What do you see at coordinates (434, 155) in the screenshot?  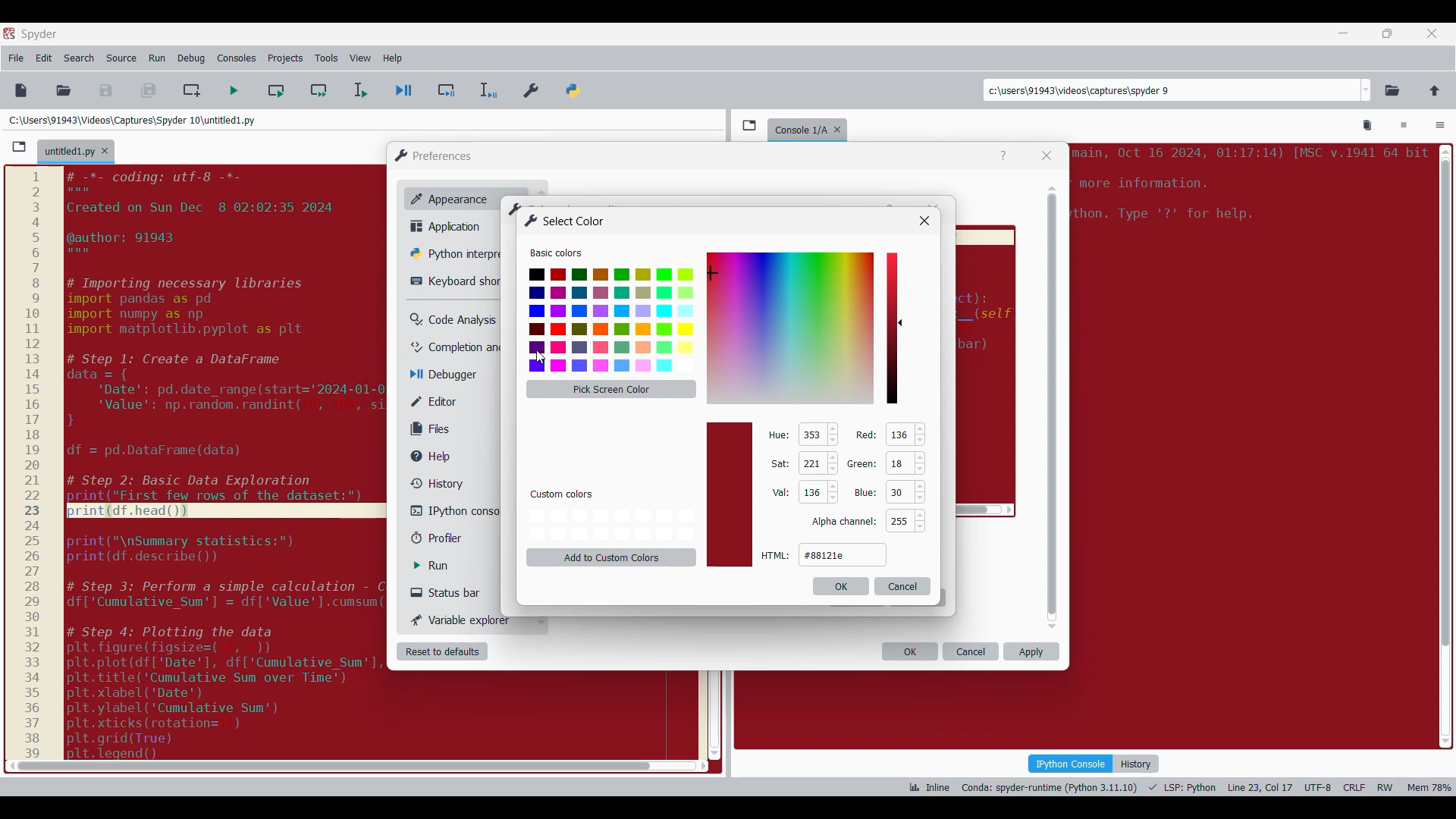 I see `Window logo and title` at bounding box center [434, 155].